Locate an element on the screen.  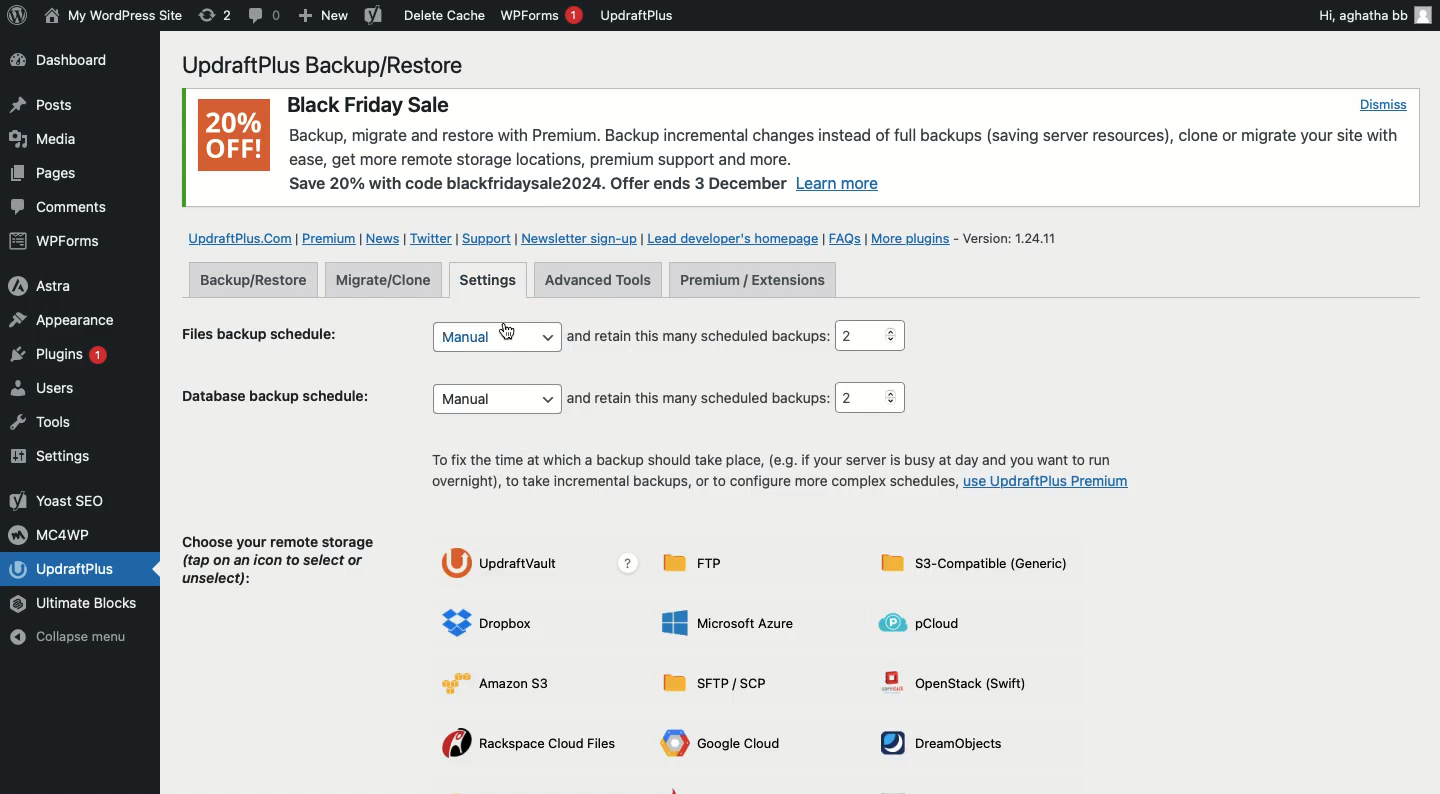
Twitter is located at coordinates (431, 239).